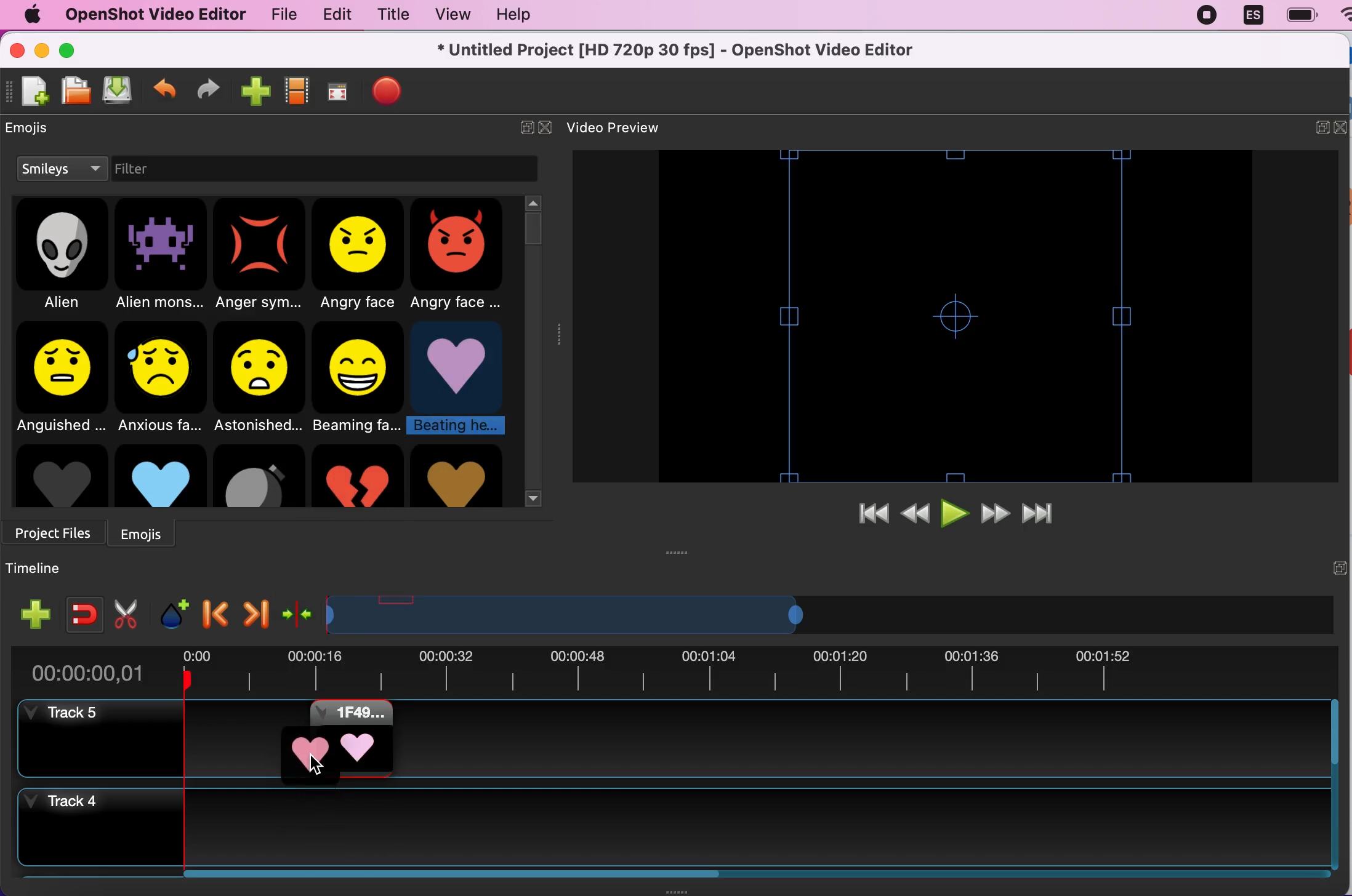 Image resolution: width=1352 pixels, height=896 pixels. Describe the element at coordinates (165, 86) in the screenshot. I see `undo` at that location.